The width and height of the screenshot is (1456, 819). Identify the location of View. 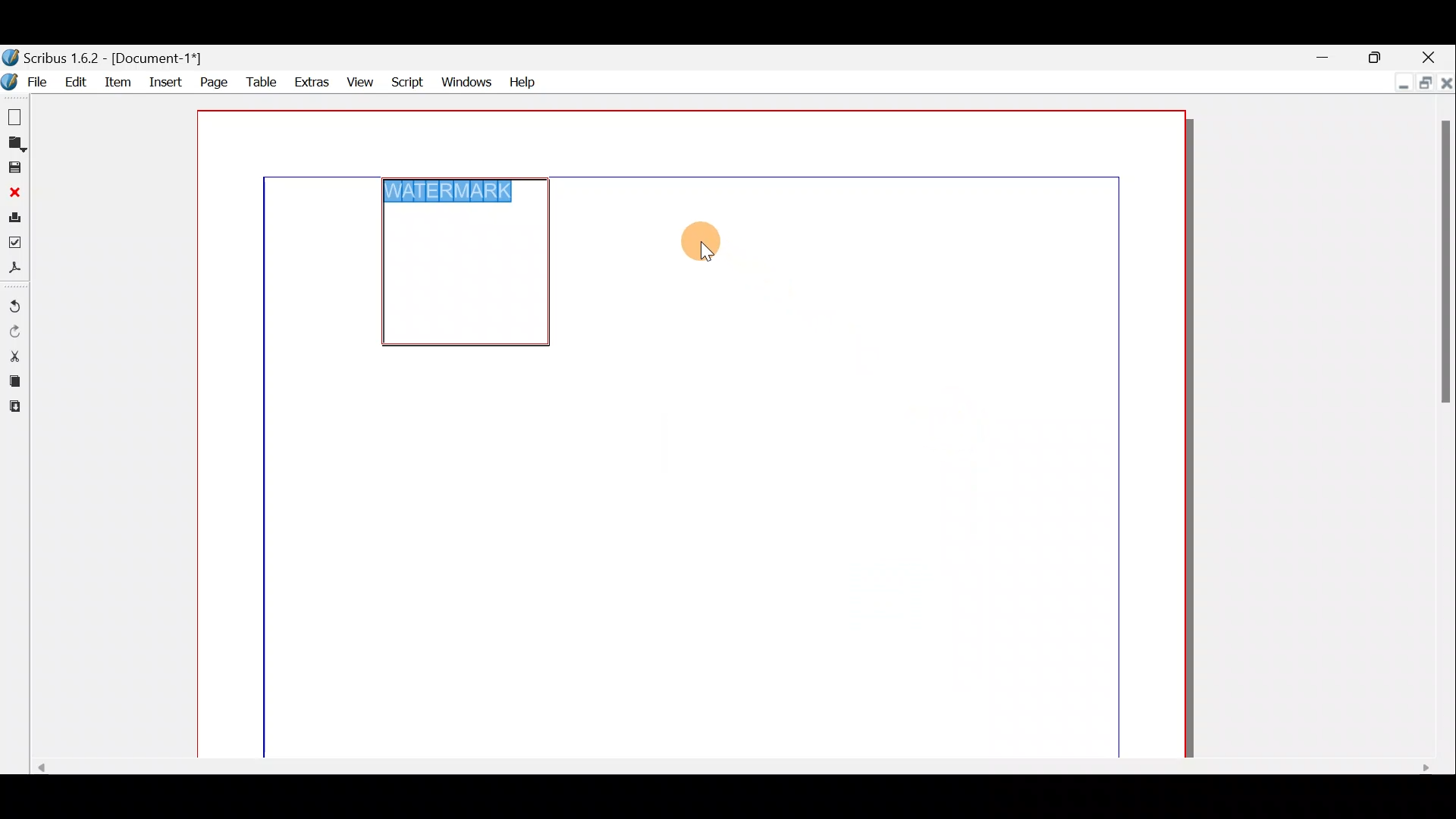
(360, 81).